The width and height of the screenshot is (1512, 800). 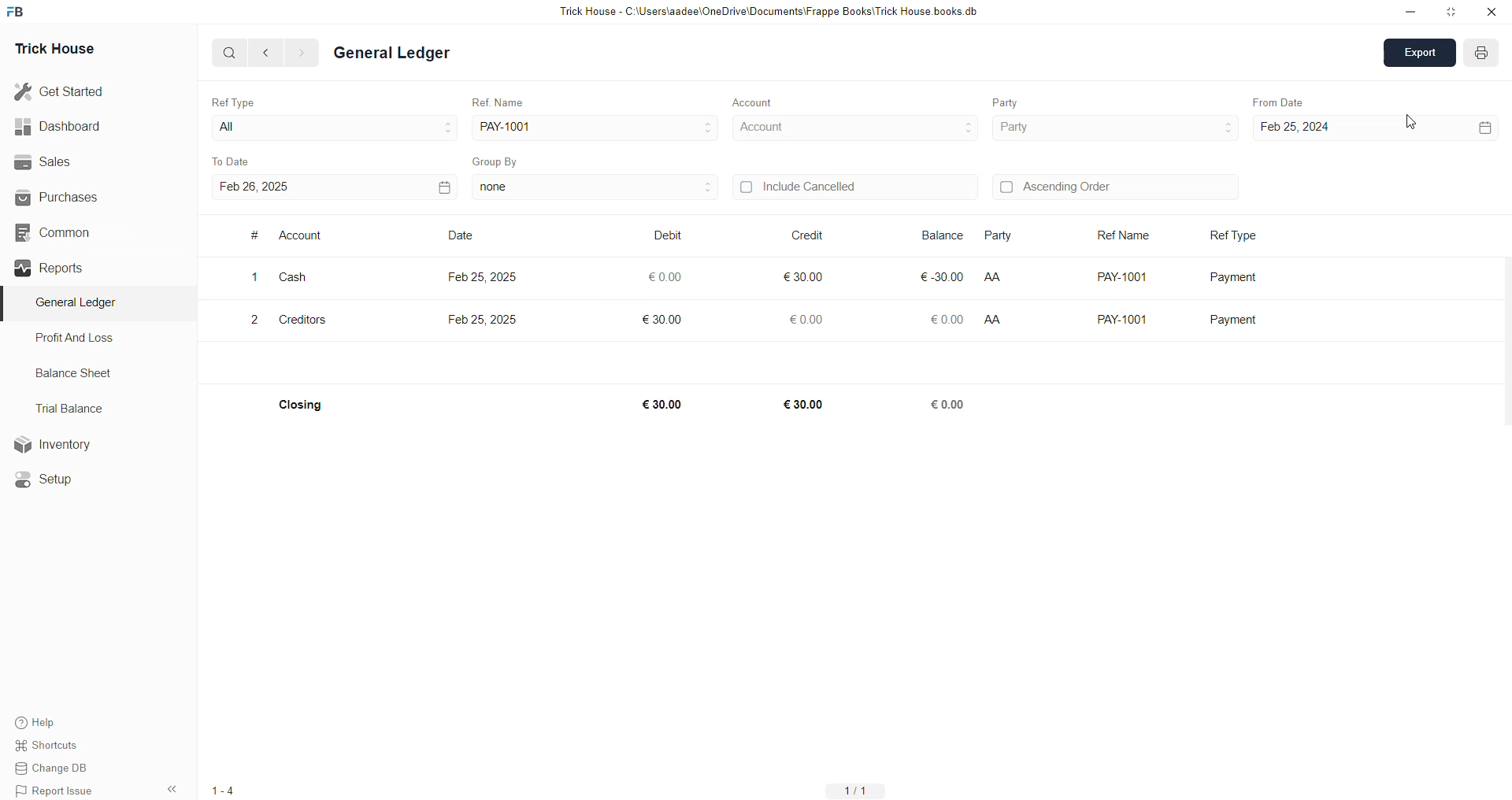 I want to click on «© Setup, so click(x=49, y=480).